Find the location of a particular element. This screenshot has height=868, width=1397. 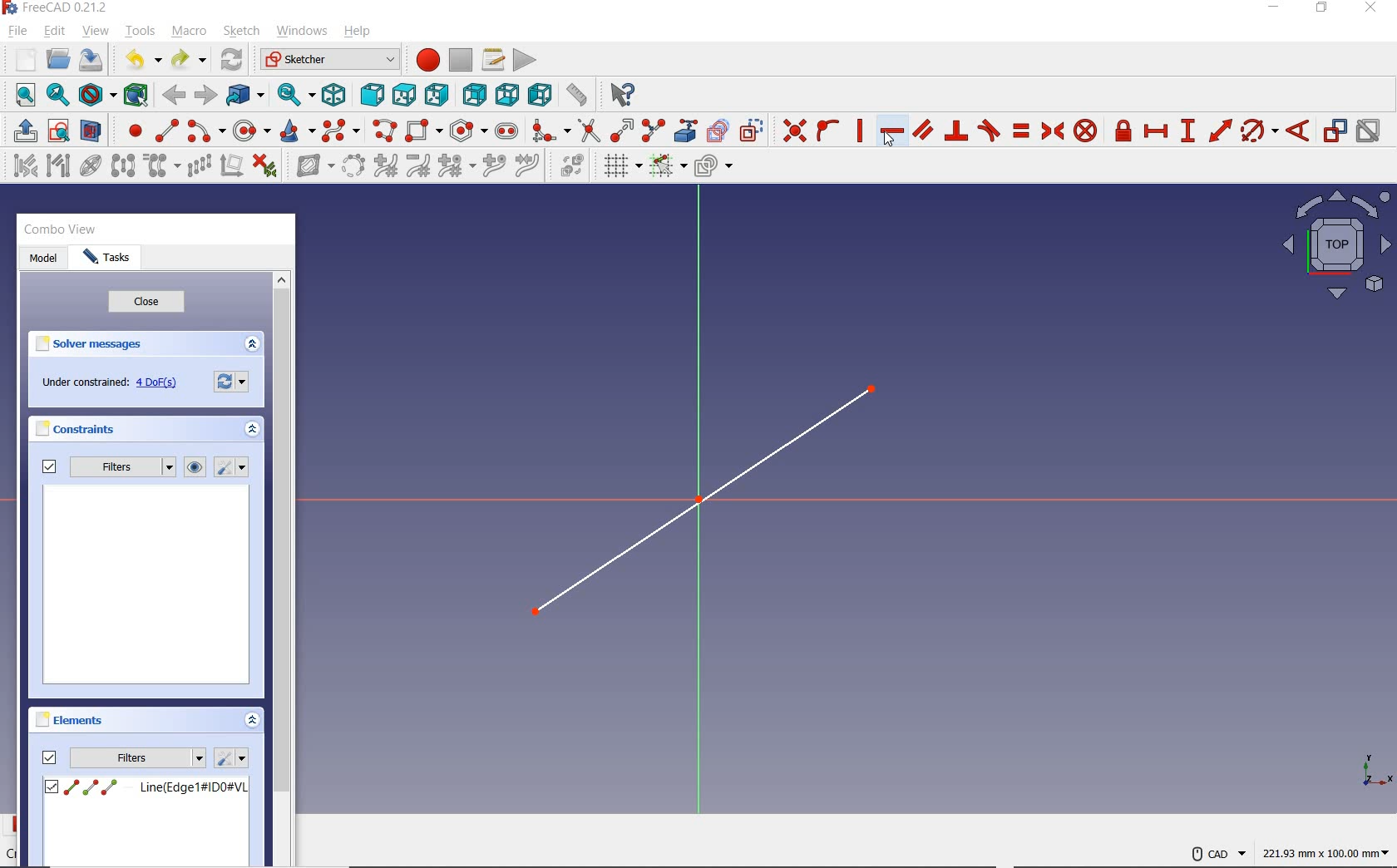

HELP is located at coordinates (358, 32).